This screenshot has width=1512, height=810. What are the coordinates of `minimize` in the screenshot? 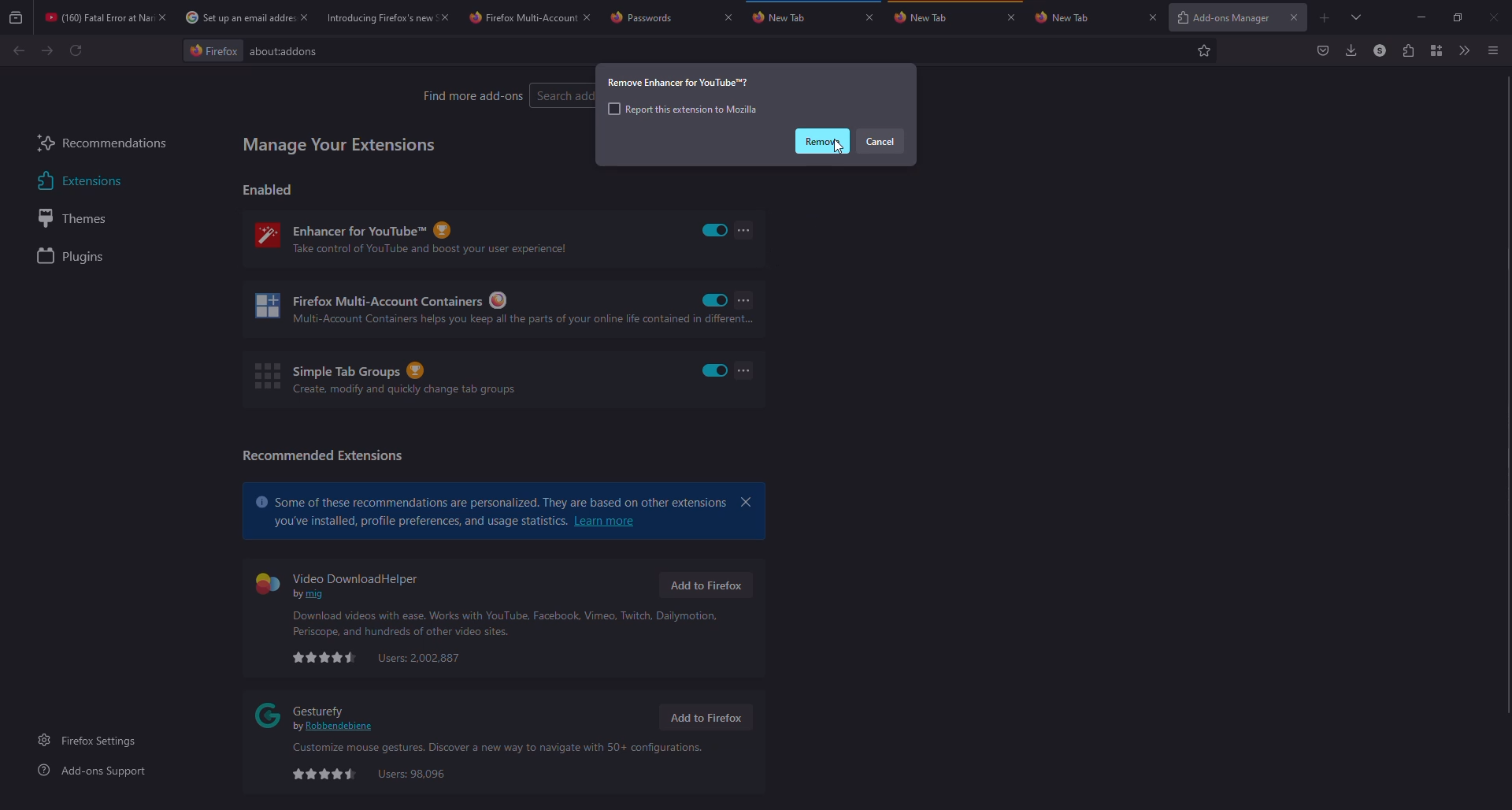 It's located at (1422, 17).